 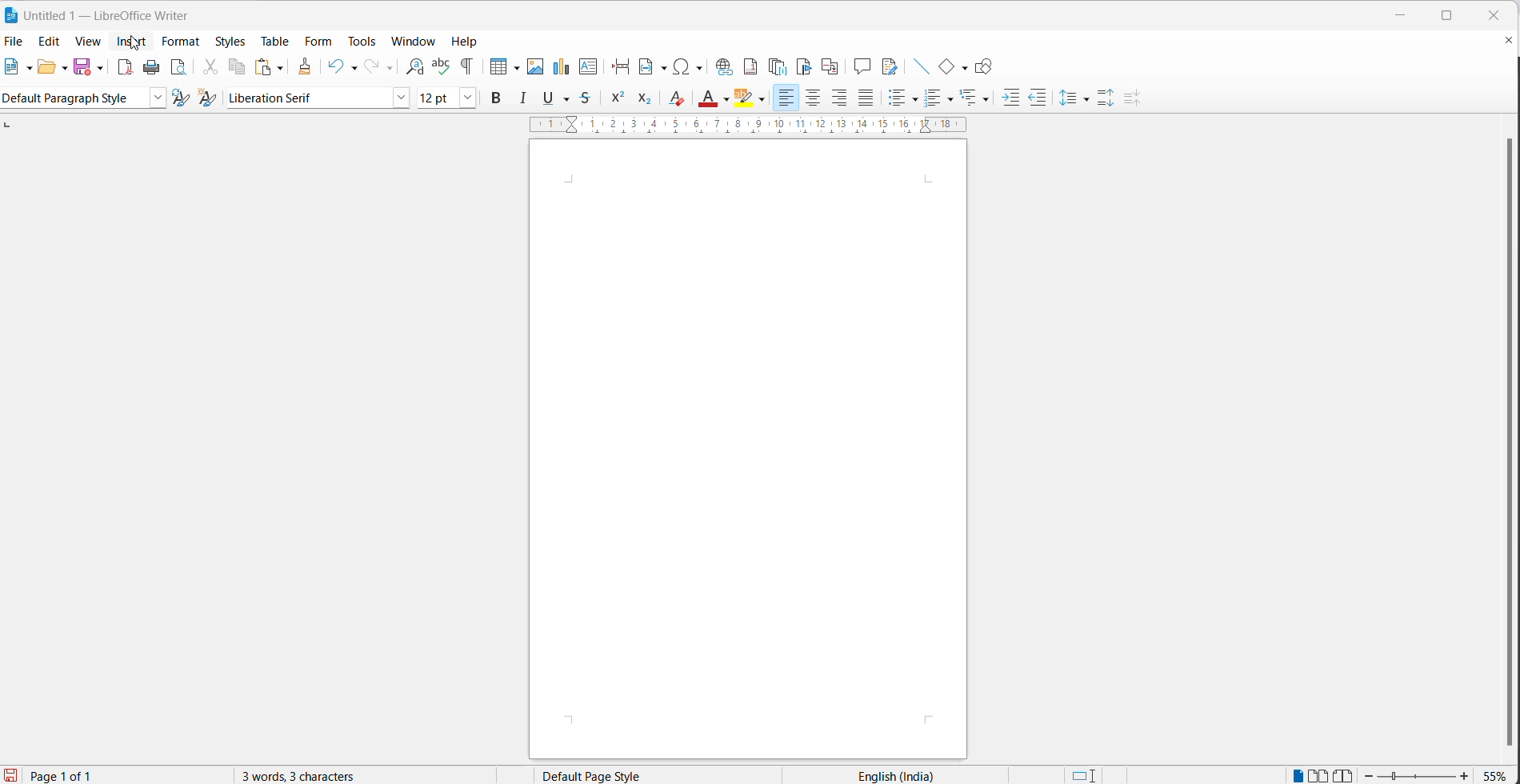 I want to click on redo options, so click(x=388, y=67).